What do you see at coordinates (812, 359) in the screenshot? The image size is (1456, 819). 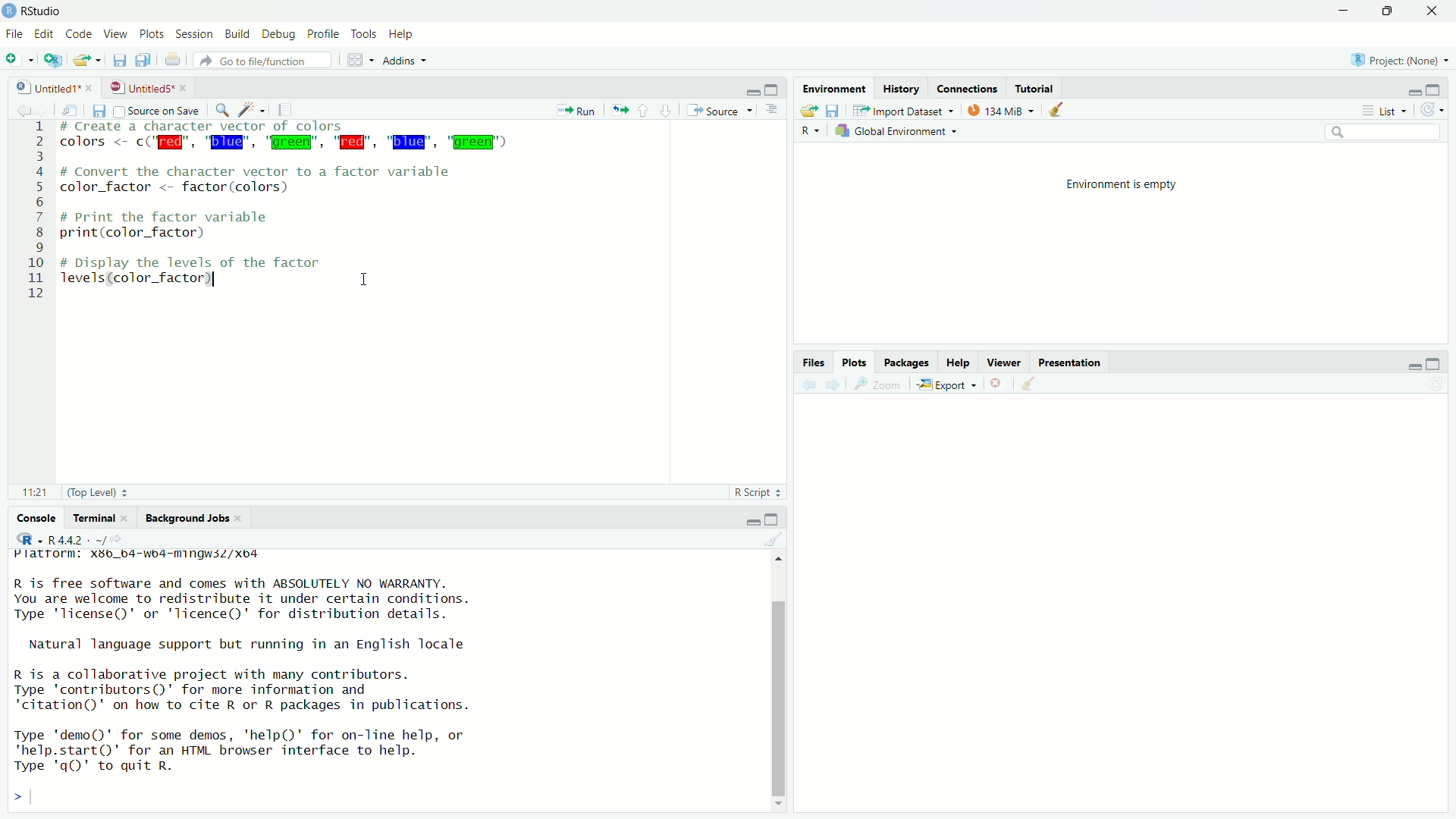 I see `Files` at bounding box center [812, 359].